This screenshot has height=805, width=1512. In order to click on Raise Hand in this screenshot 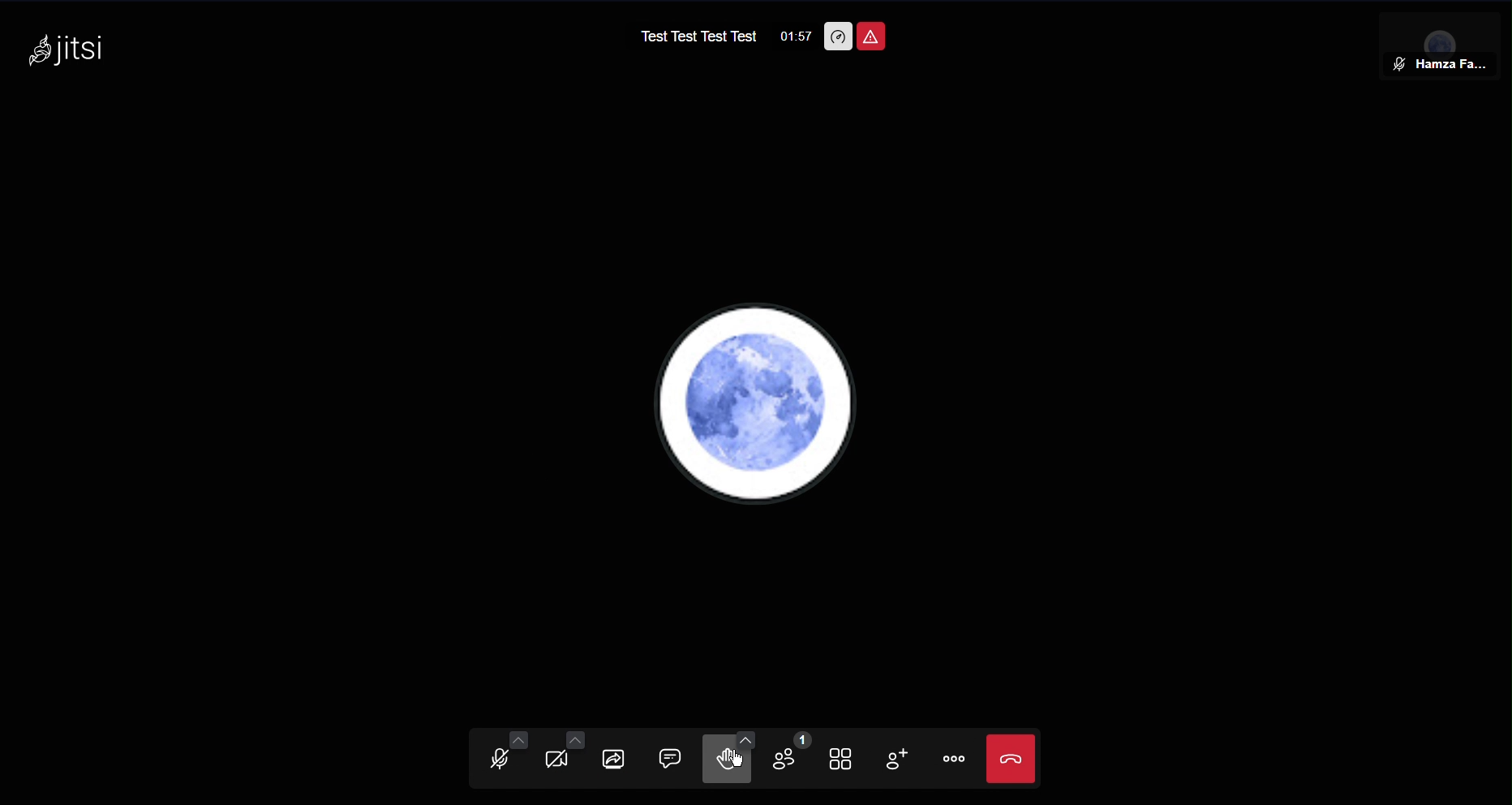, I will do `click(729, 756)`.